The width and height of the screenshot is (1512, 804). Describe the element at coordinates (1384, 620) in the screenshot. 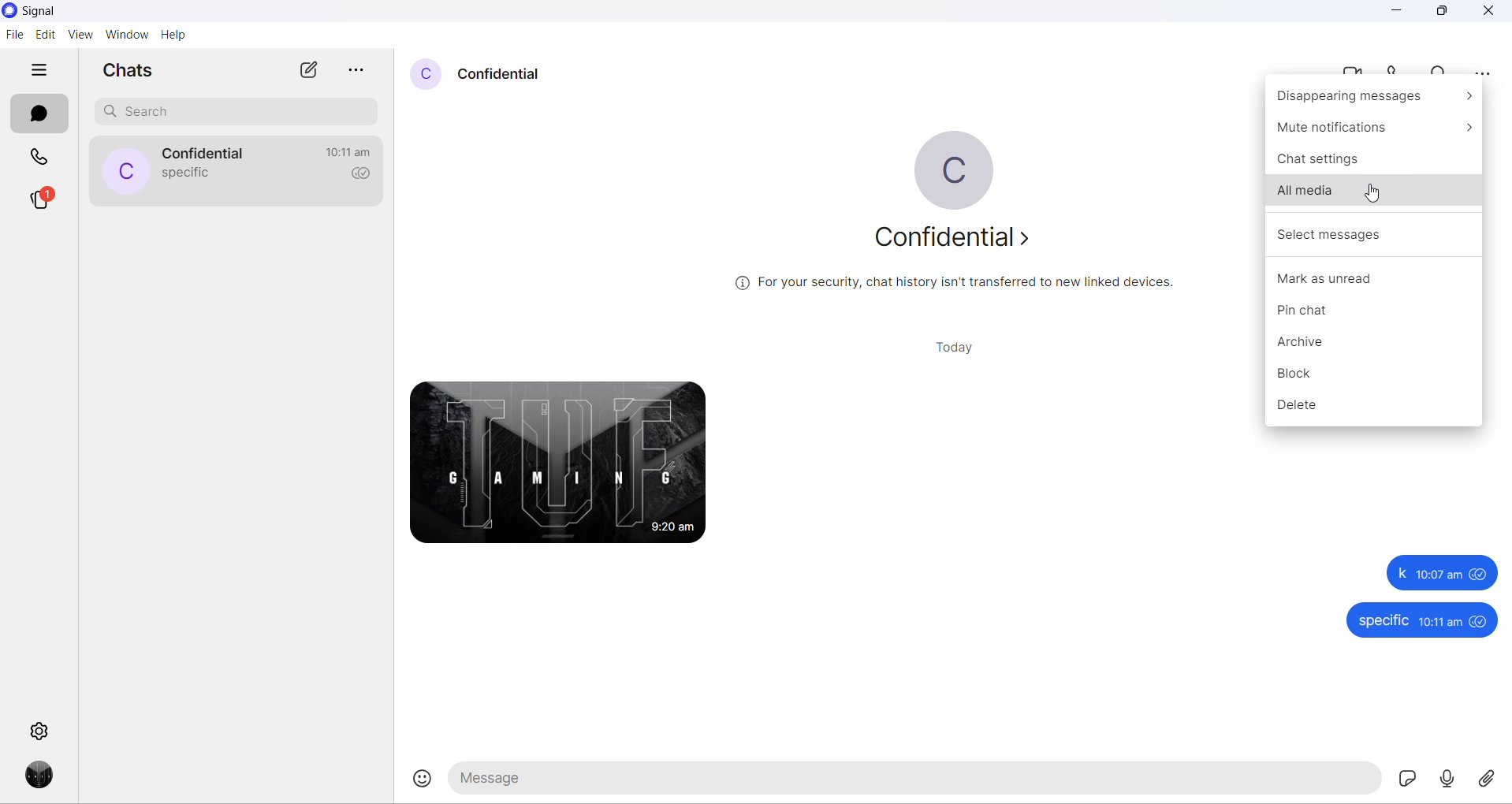

I see `specific` at that location.